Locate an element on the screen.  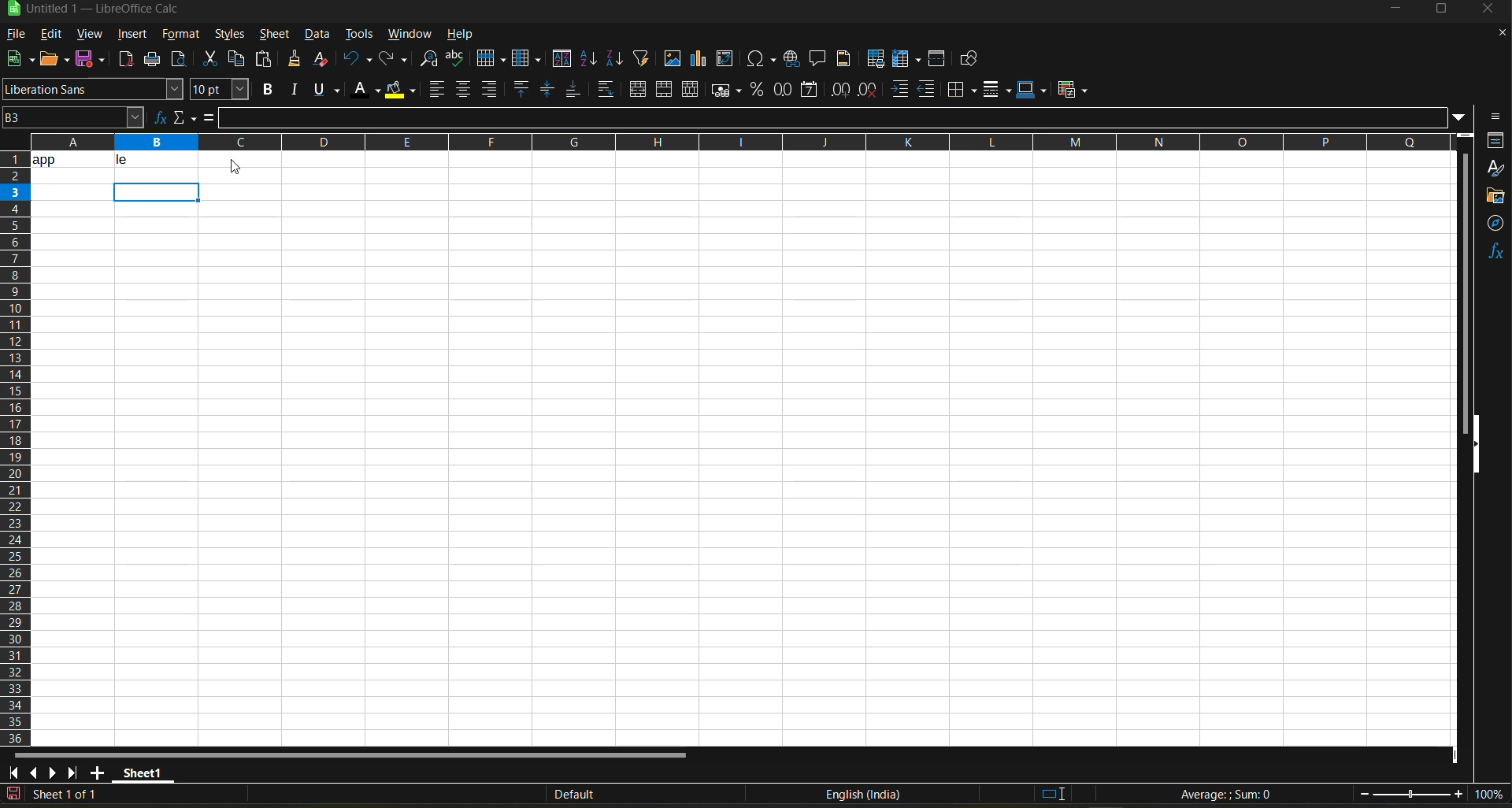
sort ascending is located at coordinates (590, 60).